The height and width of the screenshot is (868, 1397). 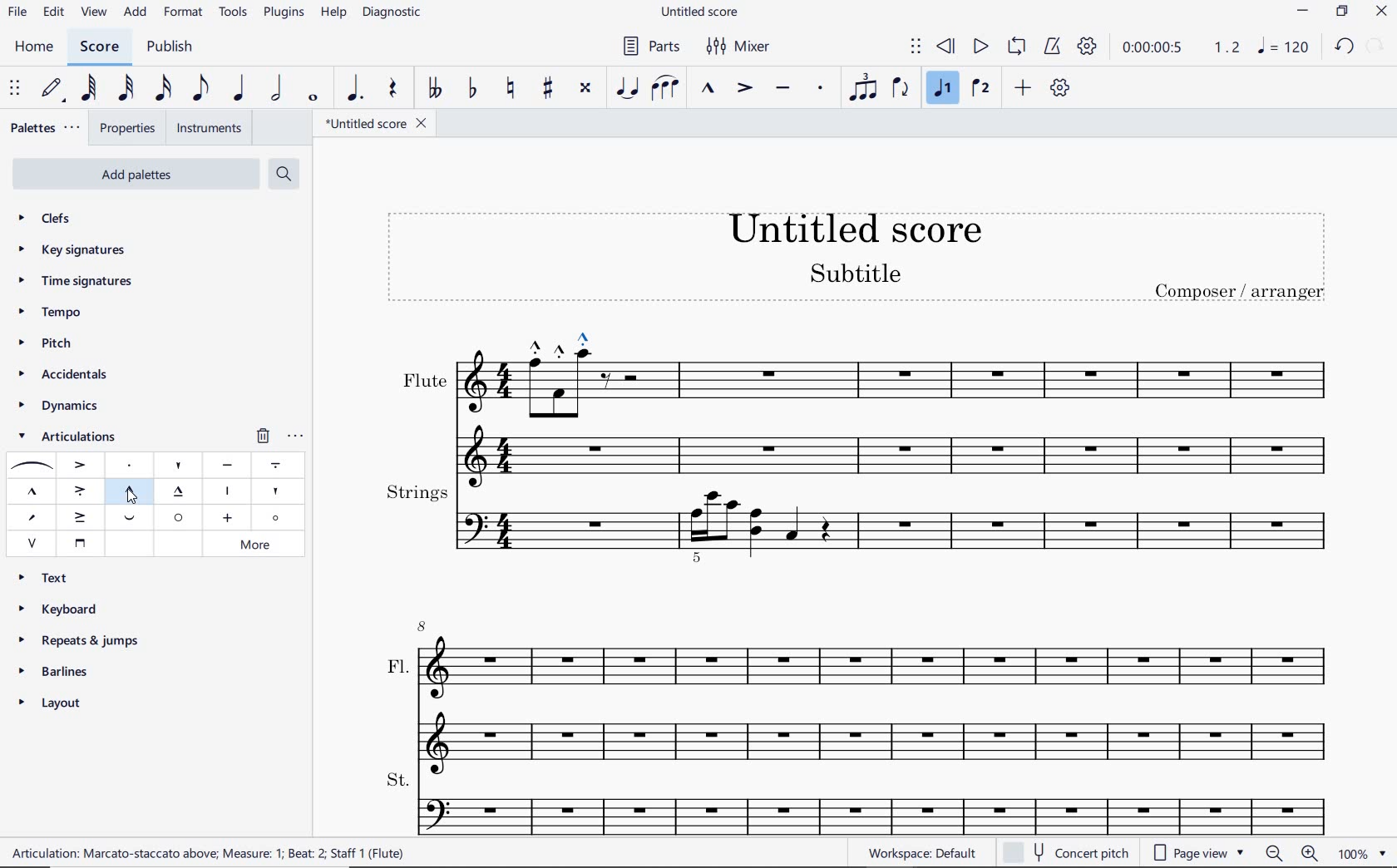 I want to click on MARCATO ABOVE, so click(x=32, y=492).